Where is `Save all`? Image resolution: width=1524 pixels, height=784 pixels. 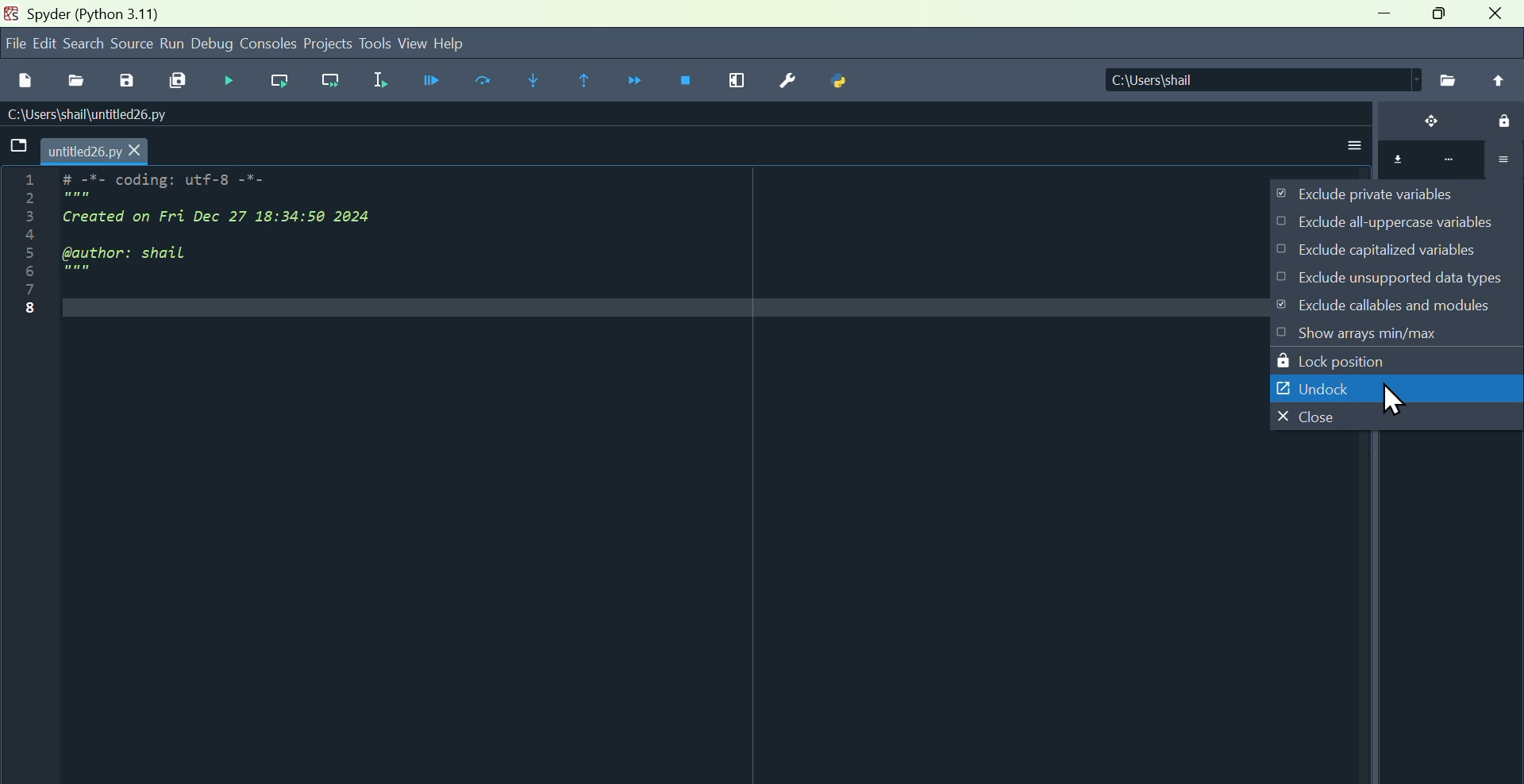 Save all is located at coordinates (179, 81).